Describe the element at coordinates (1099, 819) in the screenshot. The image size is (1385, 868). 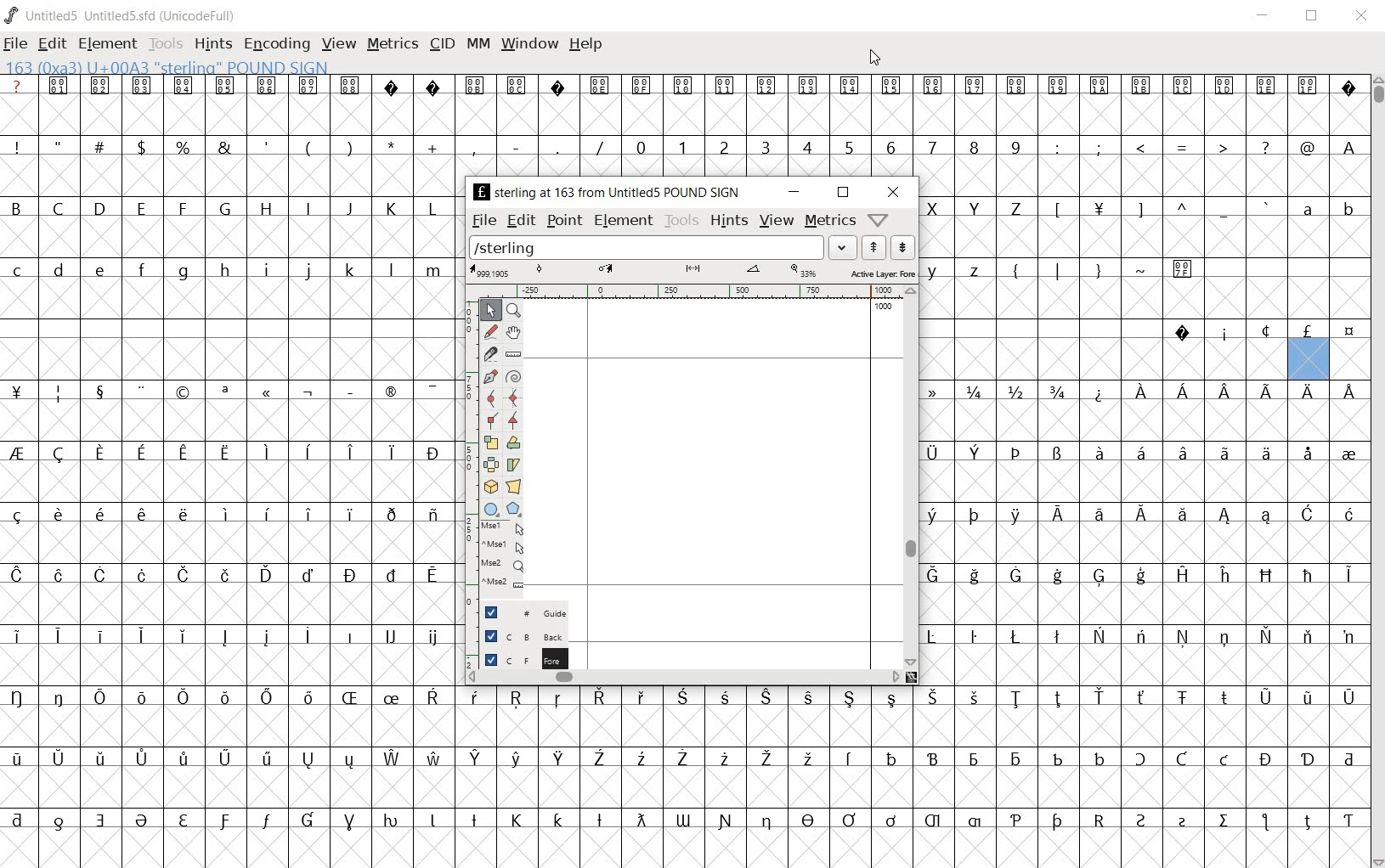
I see `Symbol` at that location.